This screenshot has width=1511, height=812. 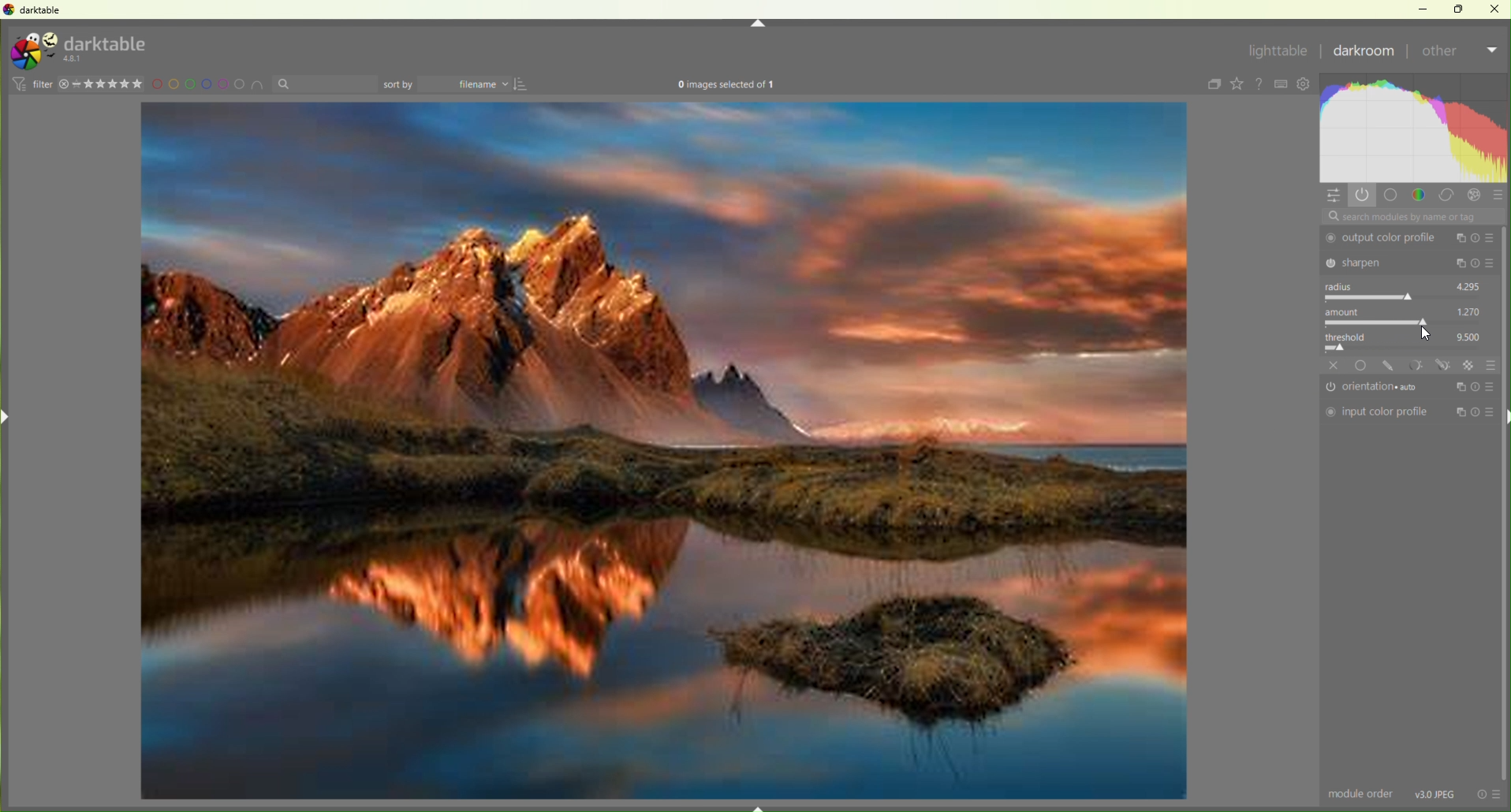 What do you see at coordinates (1351, 335) in the screenshot?
I see `threshold` at bounding box center [1351, 335].